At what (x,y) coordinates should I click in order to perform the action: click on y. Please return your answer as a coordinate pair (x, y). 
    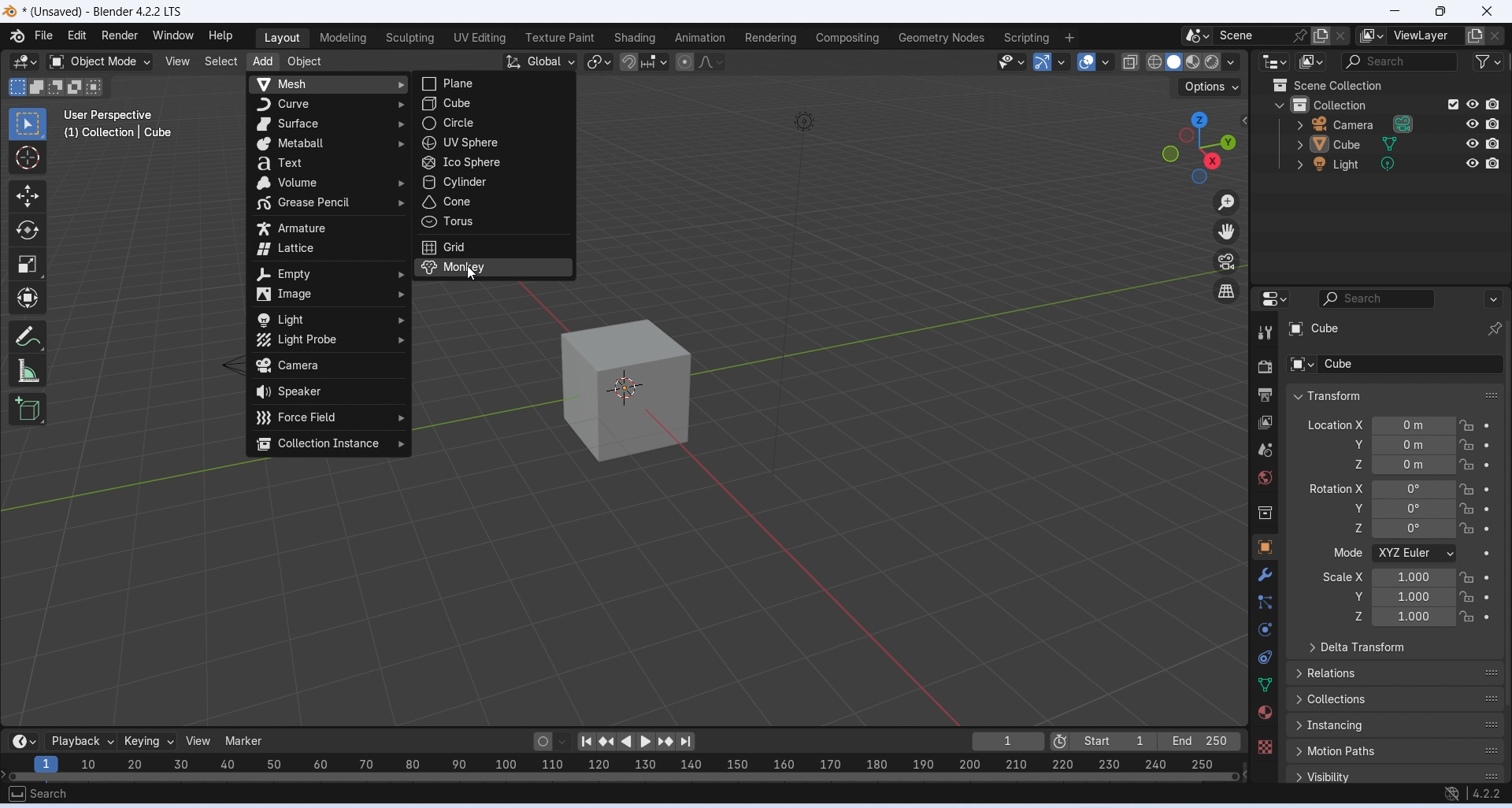
    Looking at the image, I should click on (1349, 507).